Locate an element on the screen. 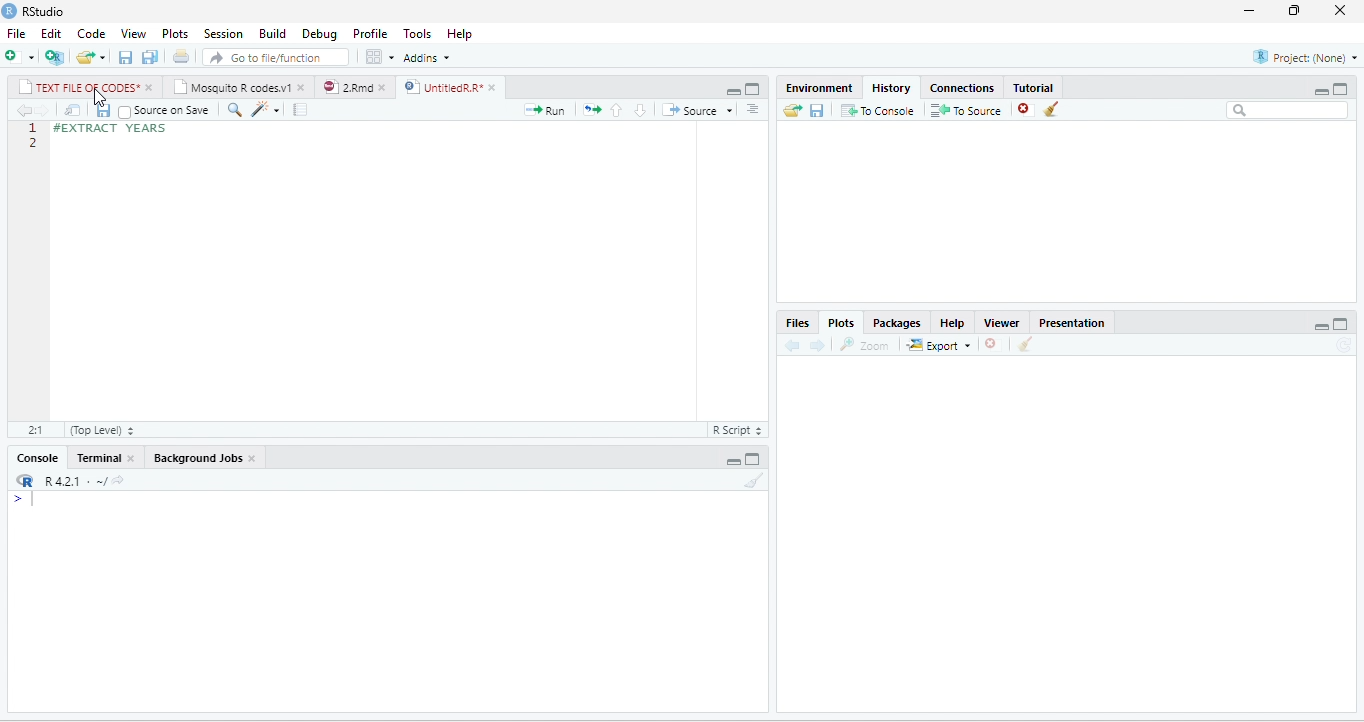 Image resolution: width=1364 pixels, height=722 pixels. back is located at coordinates (792, 344).